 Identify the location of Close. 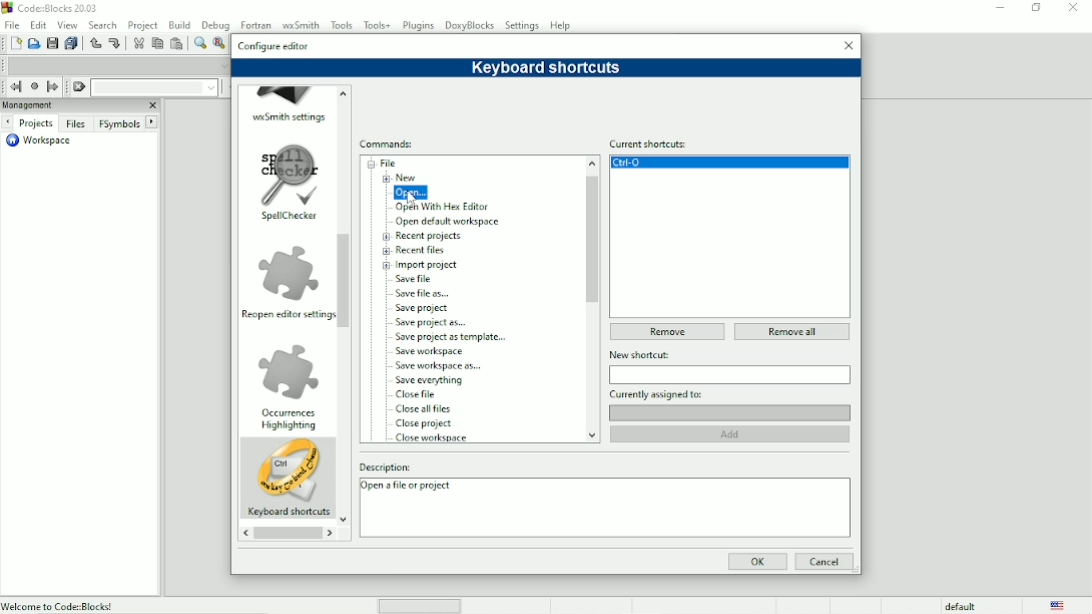
(848, 44).